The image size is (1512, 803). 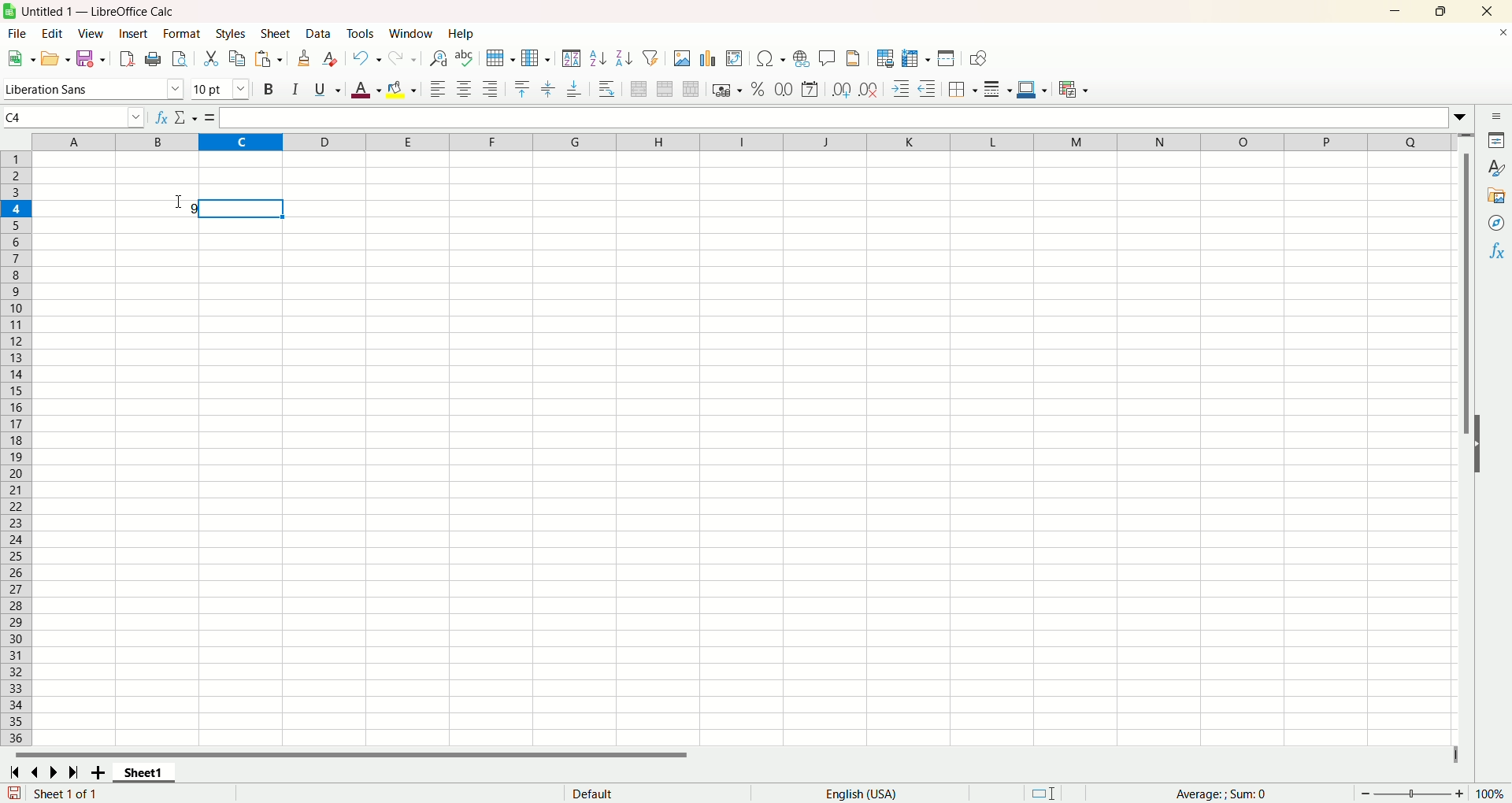 I want to click on Open, so click(x=54, y=61).